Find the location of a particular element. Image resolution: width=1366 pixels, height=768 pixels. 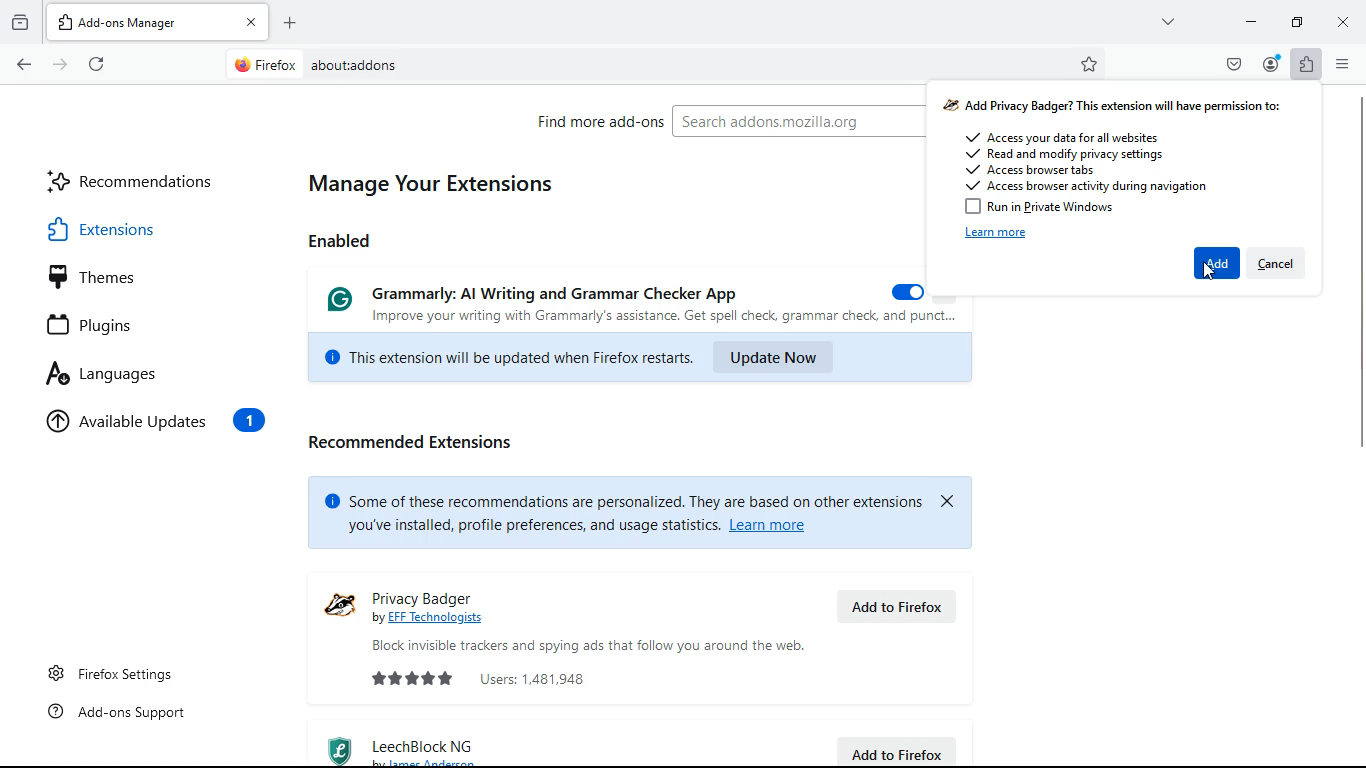

This extension will be updated when Firefox restarts. is located at coordinates (501, 360).